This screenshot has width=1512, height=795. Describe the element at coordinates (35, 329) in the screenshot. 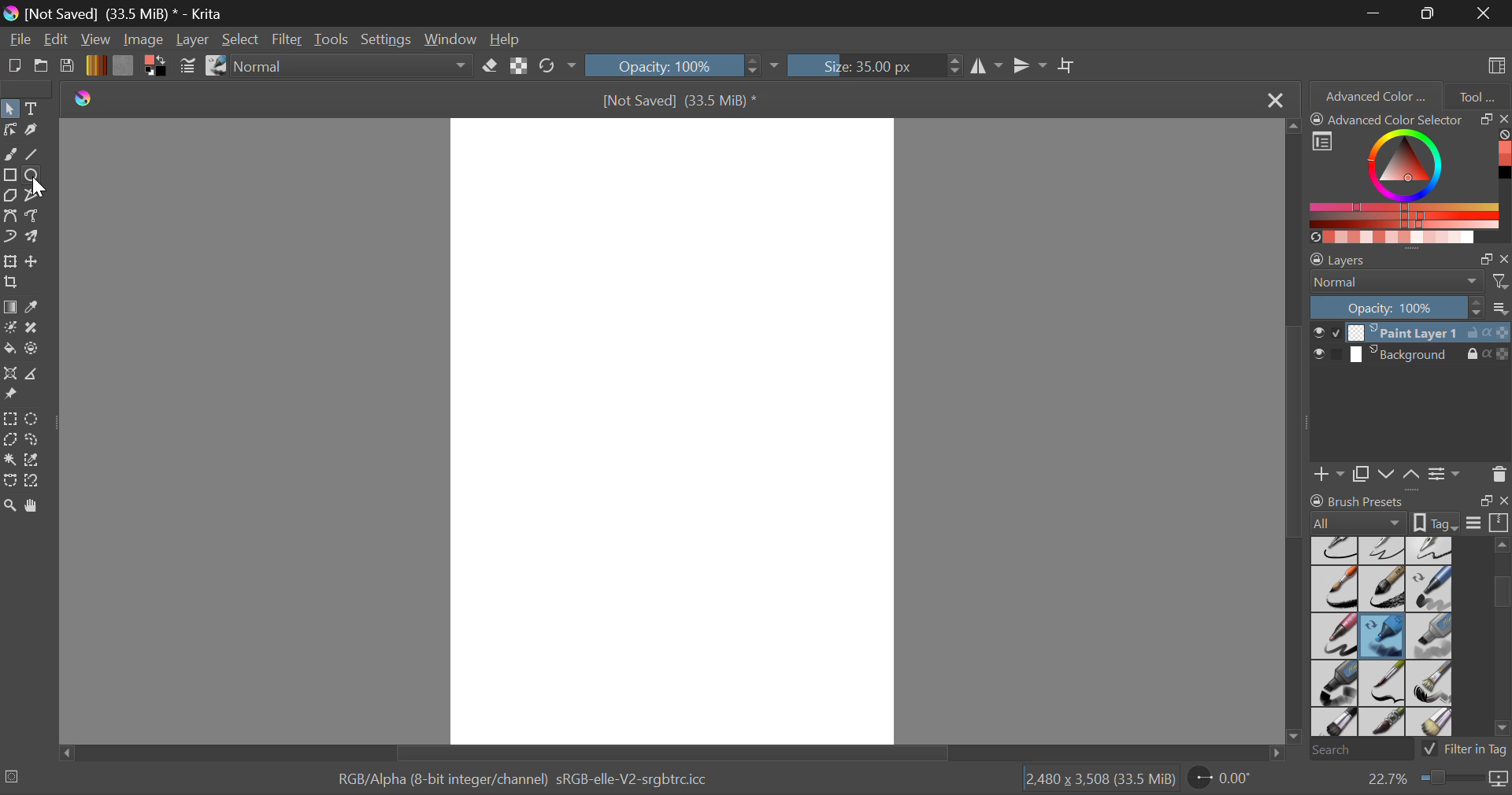

I see `Smart Patch Tool` at that location.